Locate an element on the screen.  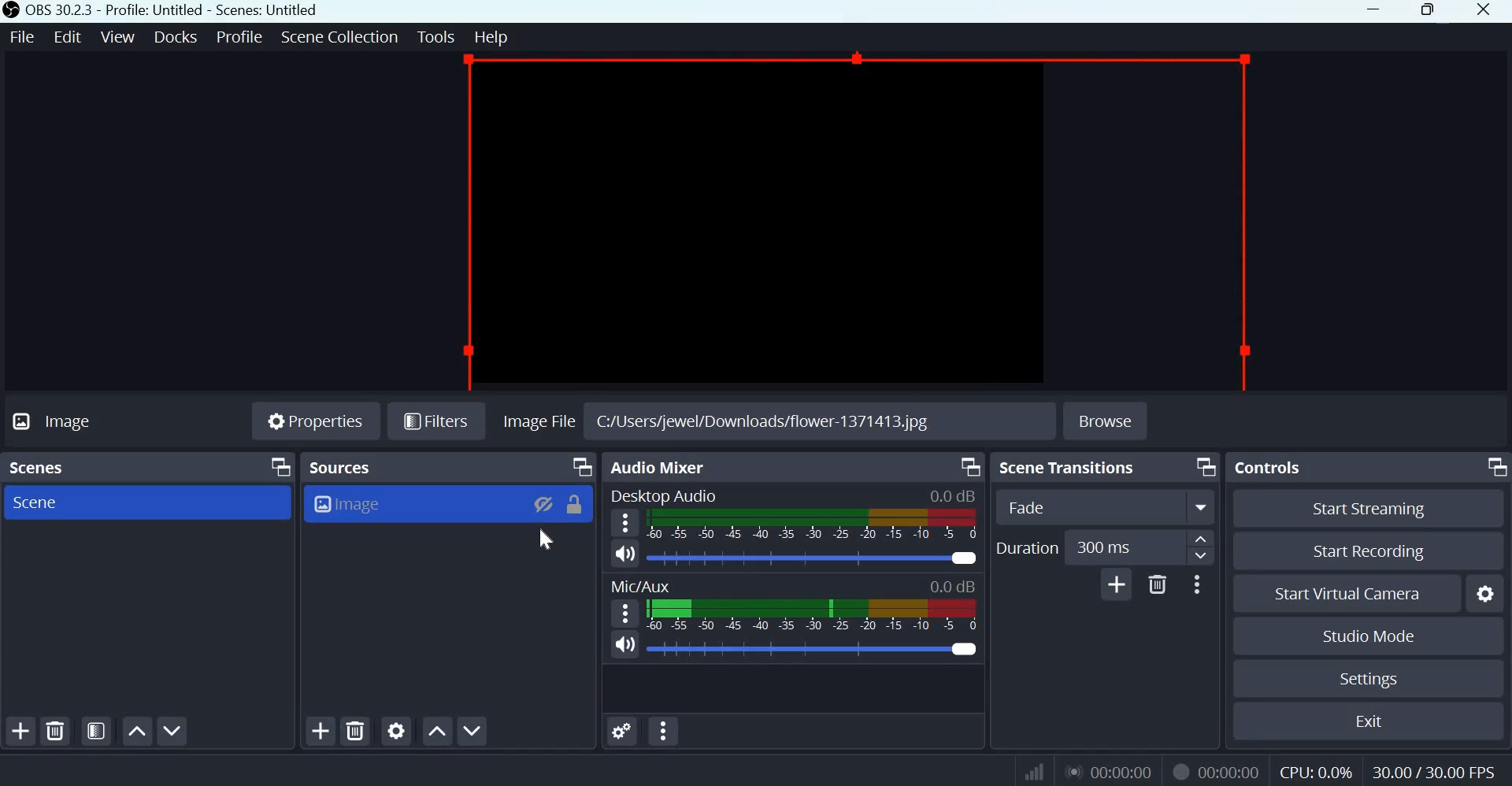
Move source(s) down is located at coordinates (471, 730).